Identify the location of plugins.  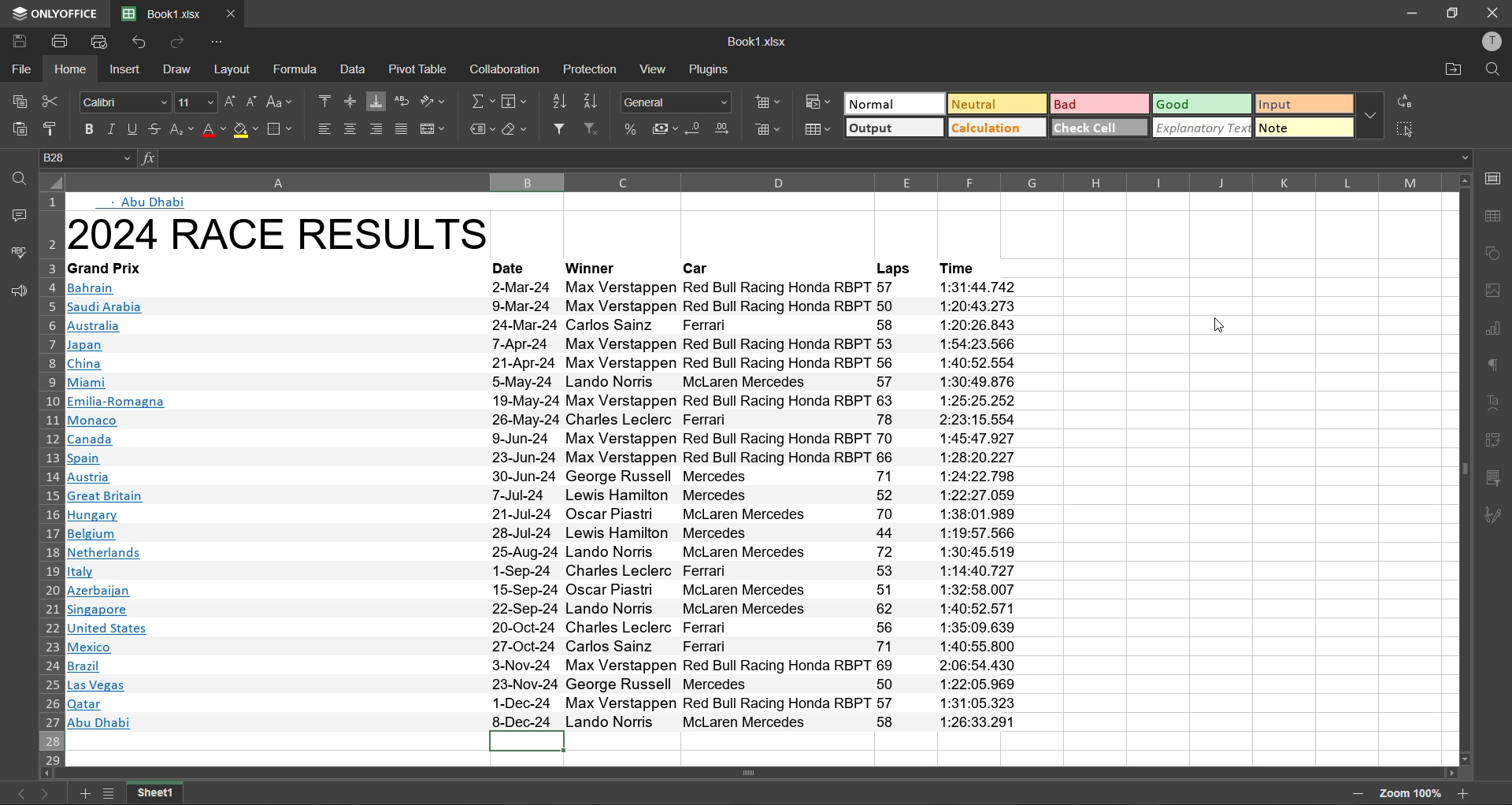
(710, 69).